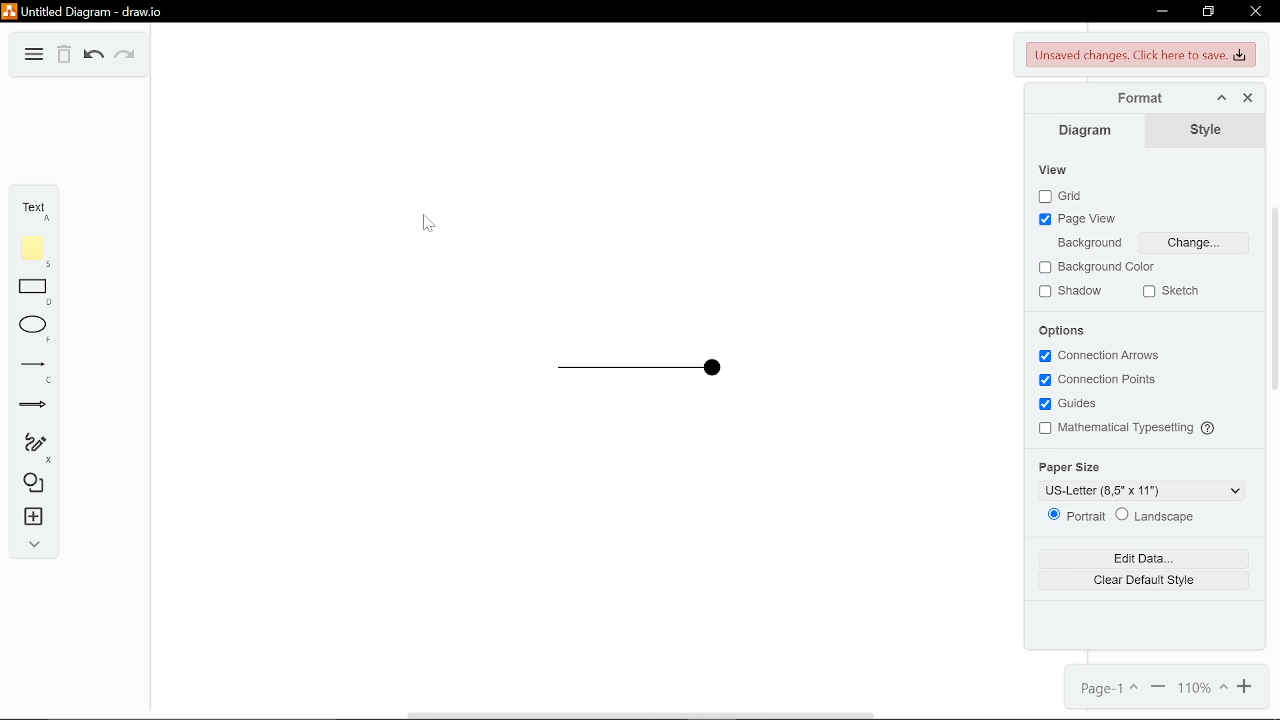 This screenshot has width=1280, height=720. I want to click on Paper size, so click(1074, 465).